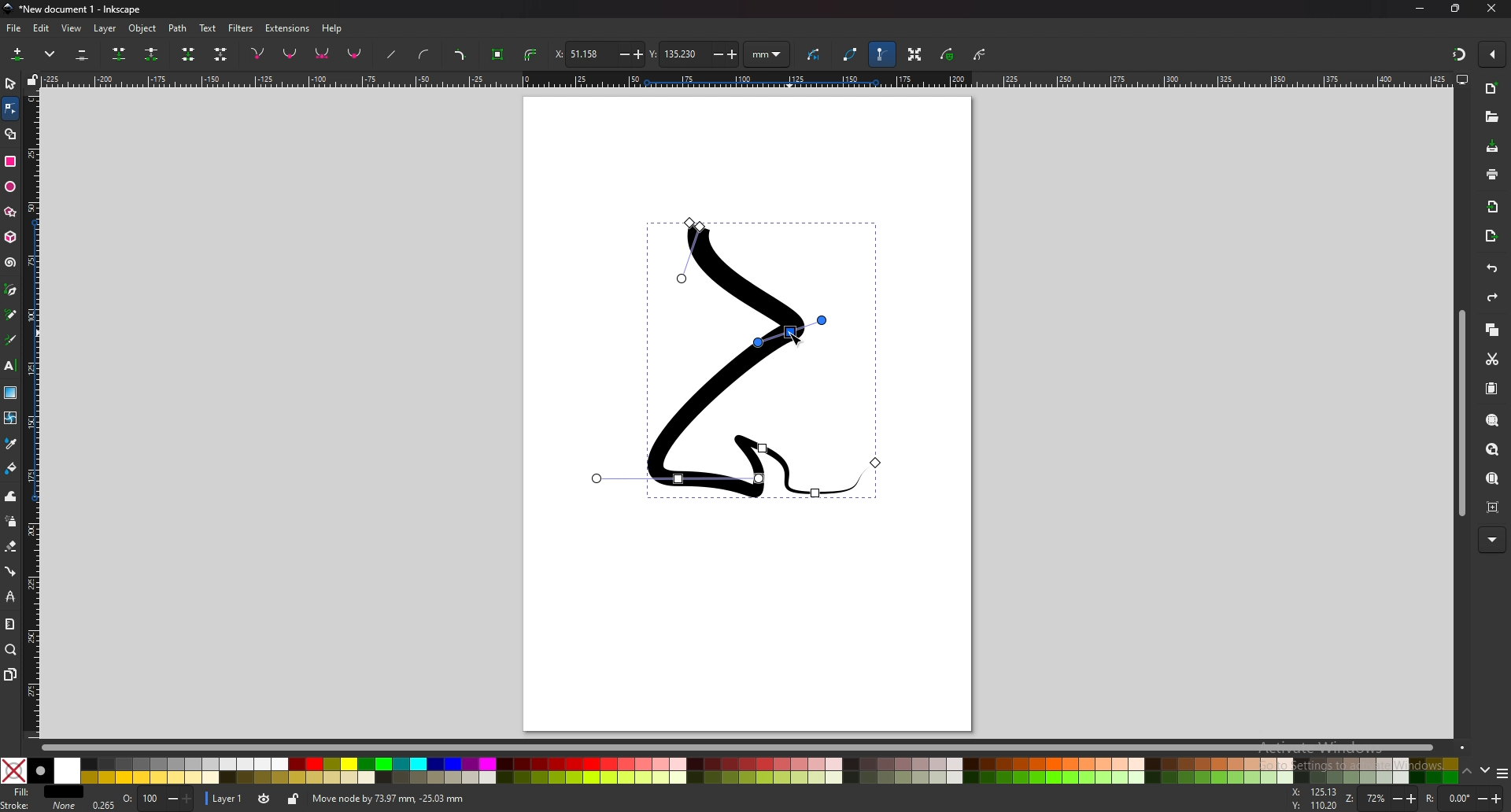 The height and width of the screenshot is (812, 1511). Describe the element at coordinates (222, 55) in the screenshot. I see `delete segment between two non endpoint nodes` at that location.